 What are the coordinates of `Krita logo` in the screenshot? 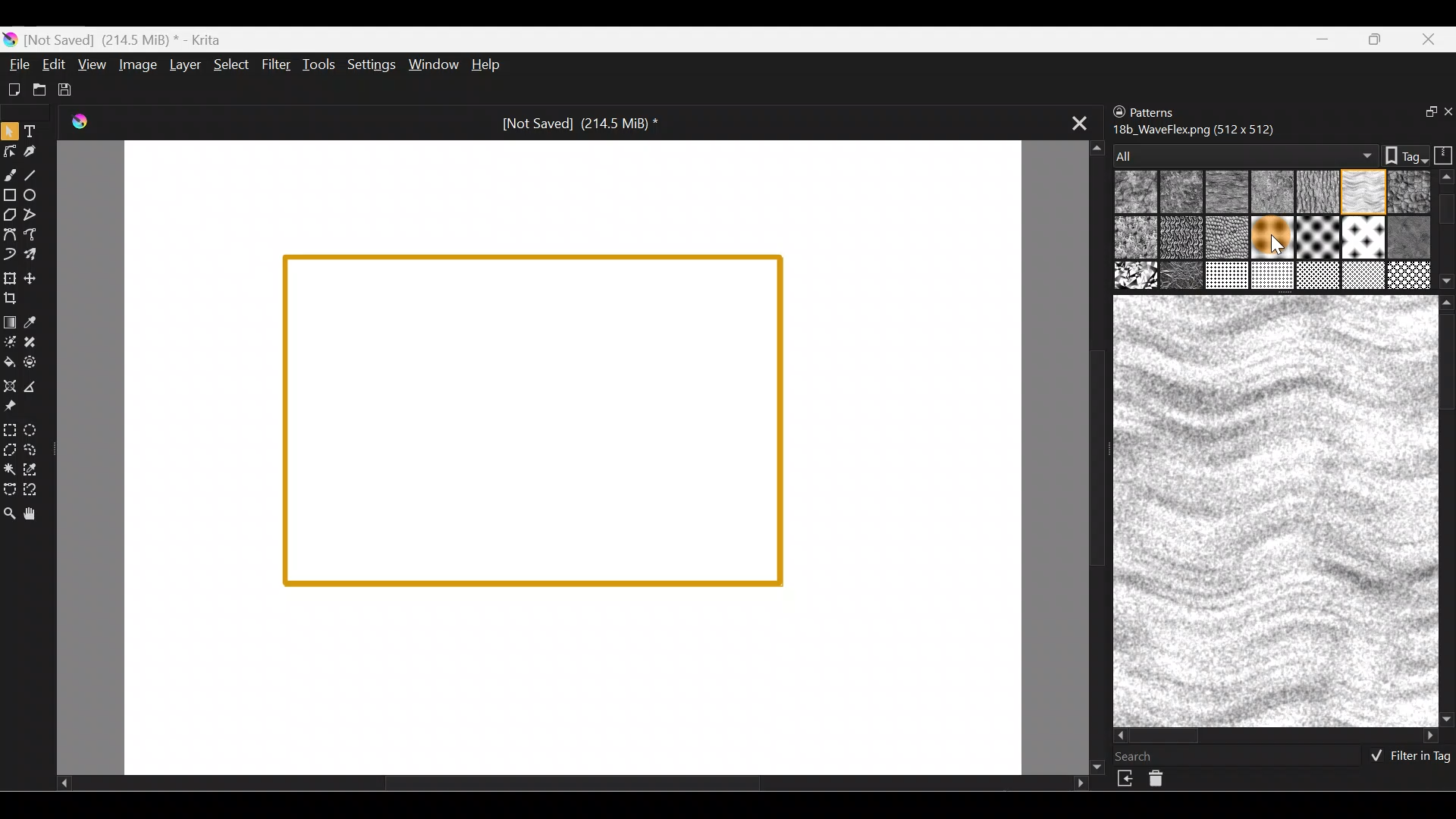 It's located at (9, 40).